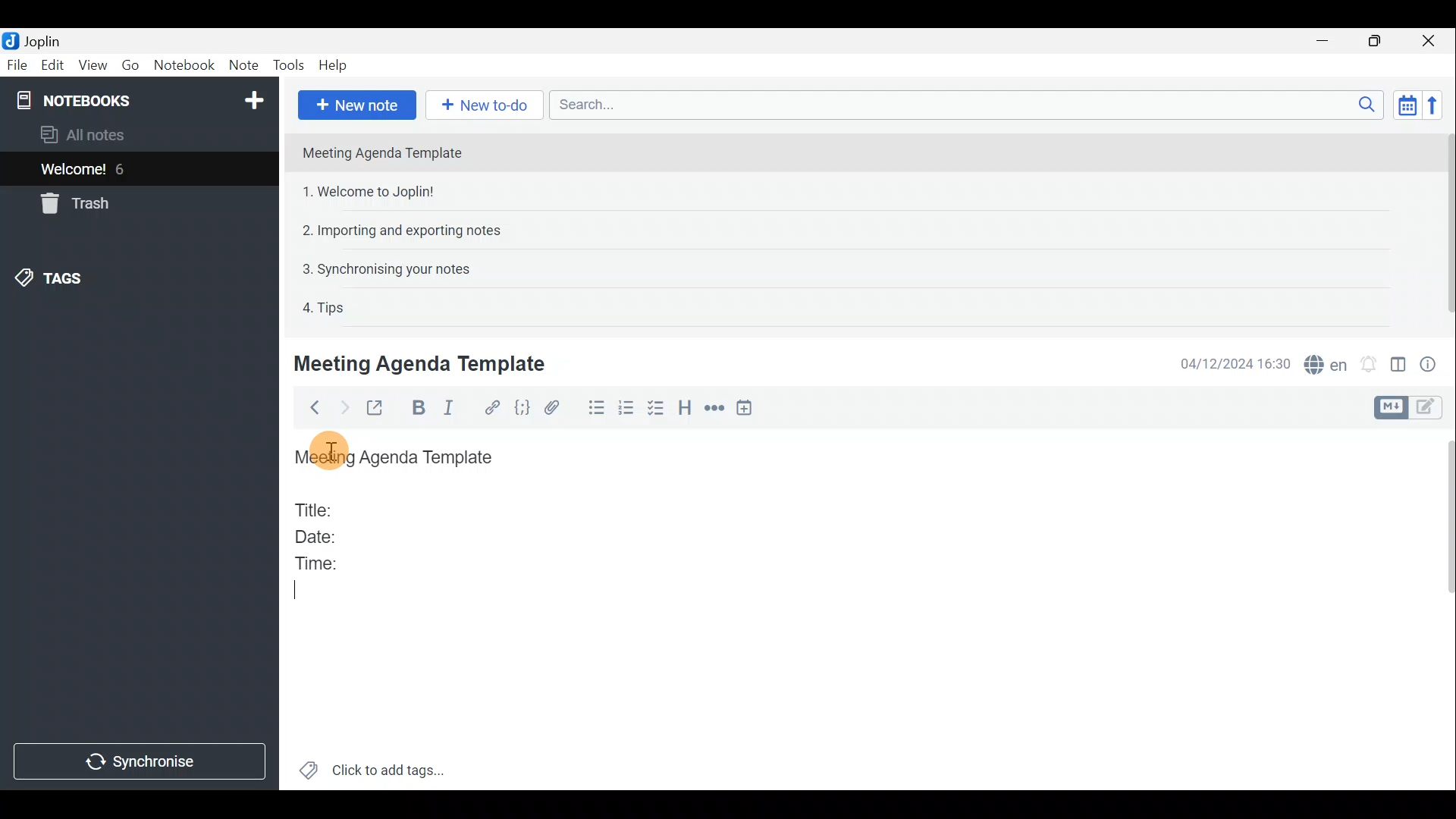 This screenshot has height=819, width=1456. What do you see at coordinates (1376, 42) in the screenshot?
I see `Maximise` at bounding box center [1376, 42].